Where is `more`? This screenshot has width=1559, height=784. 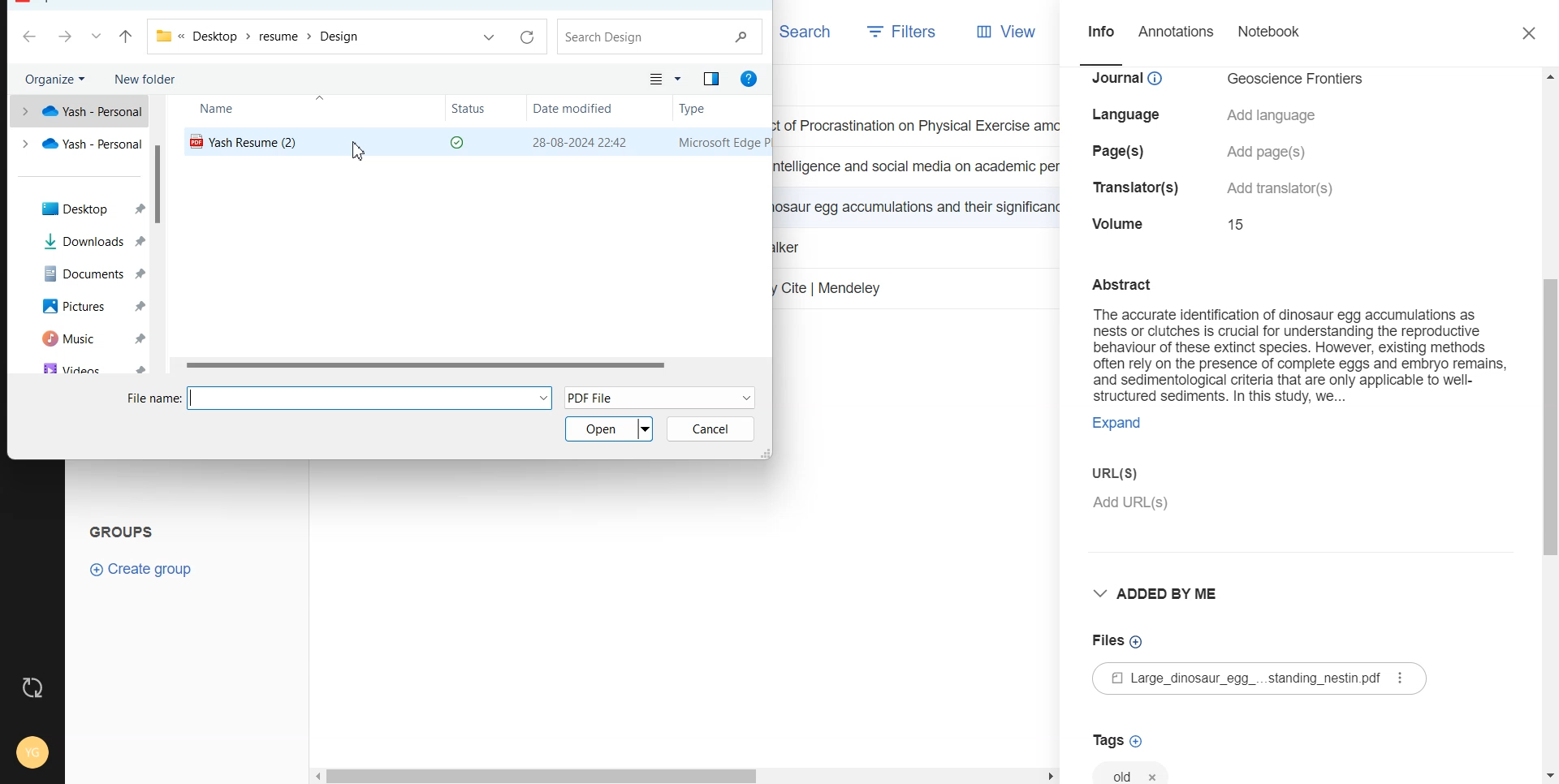
more is located at coordinates (1401, 678).